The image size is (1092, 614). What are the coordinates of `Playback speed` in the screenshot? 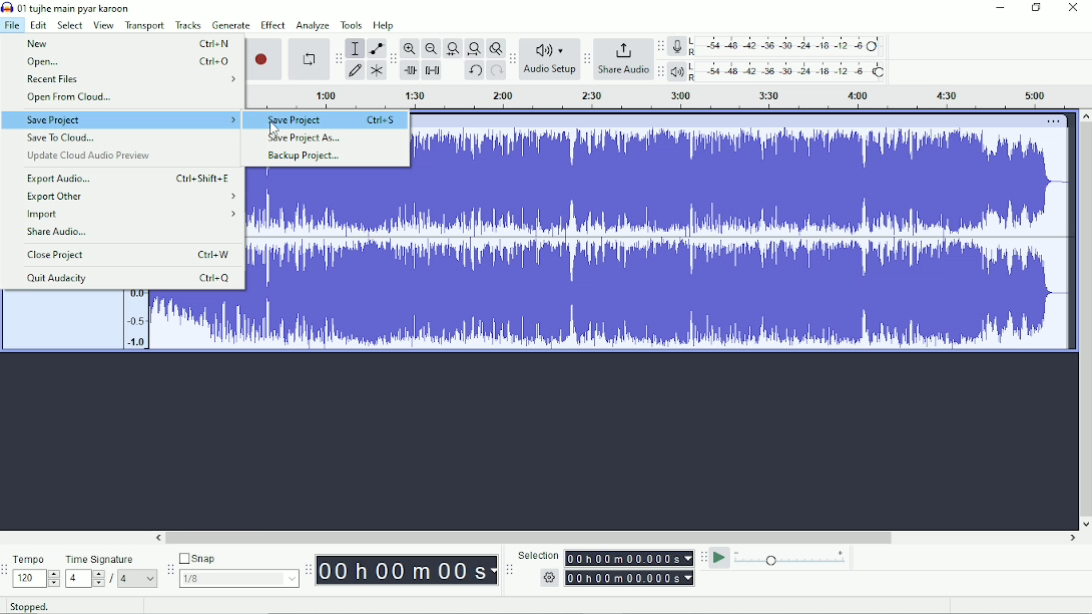 It's located at (792, 558).